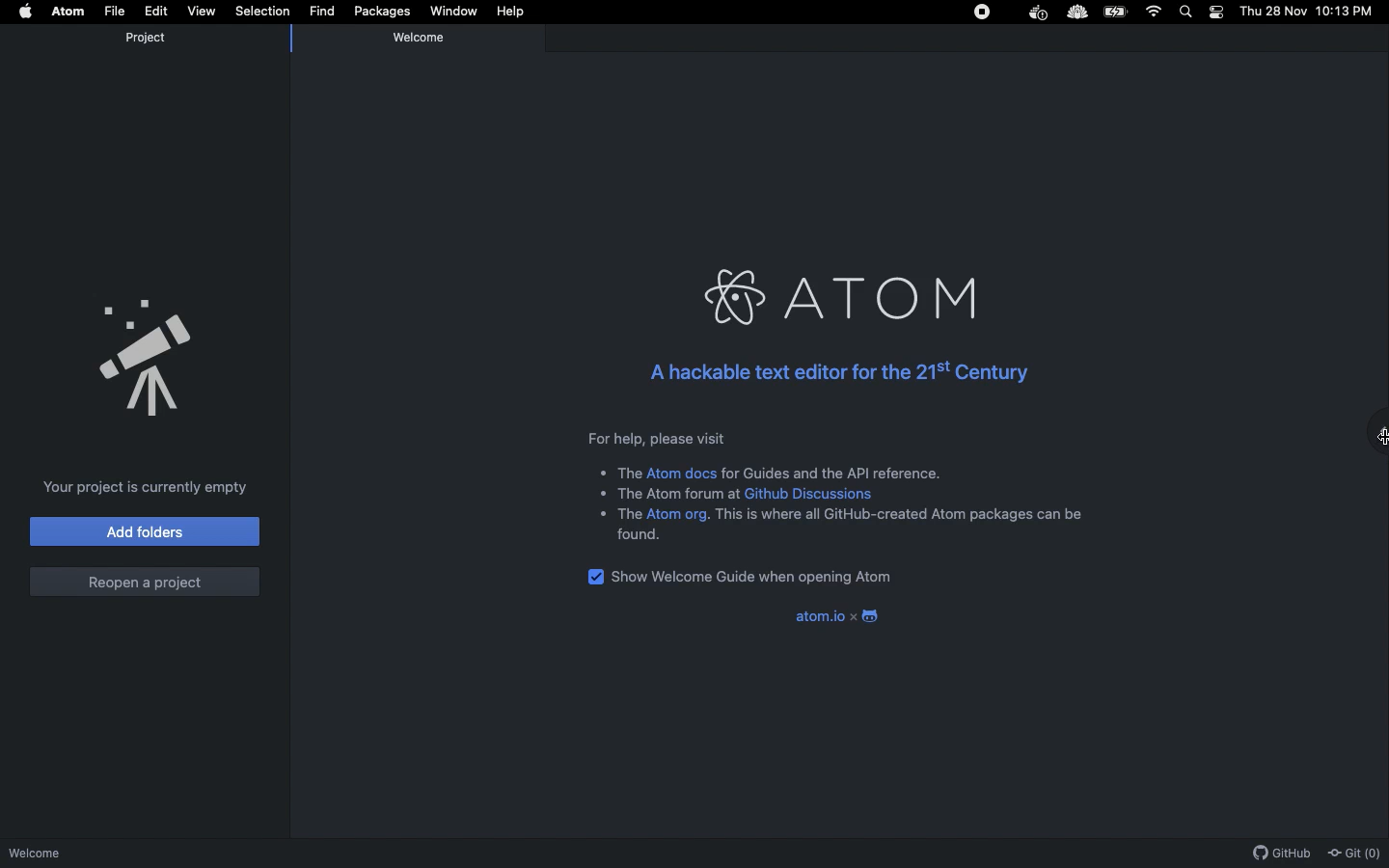 The height and width of the screenshot is (868, 1389). What do you see at coordinates (156, 11) in the screenshot?
I see `Edit` at bounding box center [156, 11].